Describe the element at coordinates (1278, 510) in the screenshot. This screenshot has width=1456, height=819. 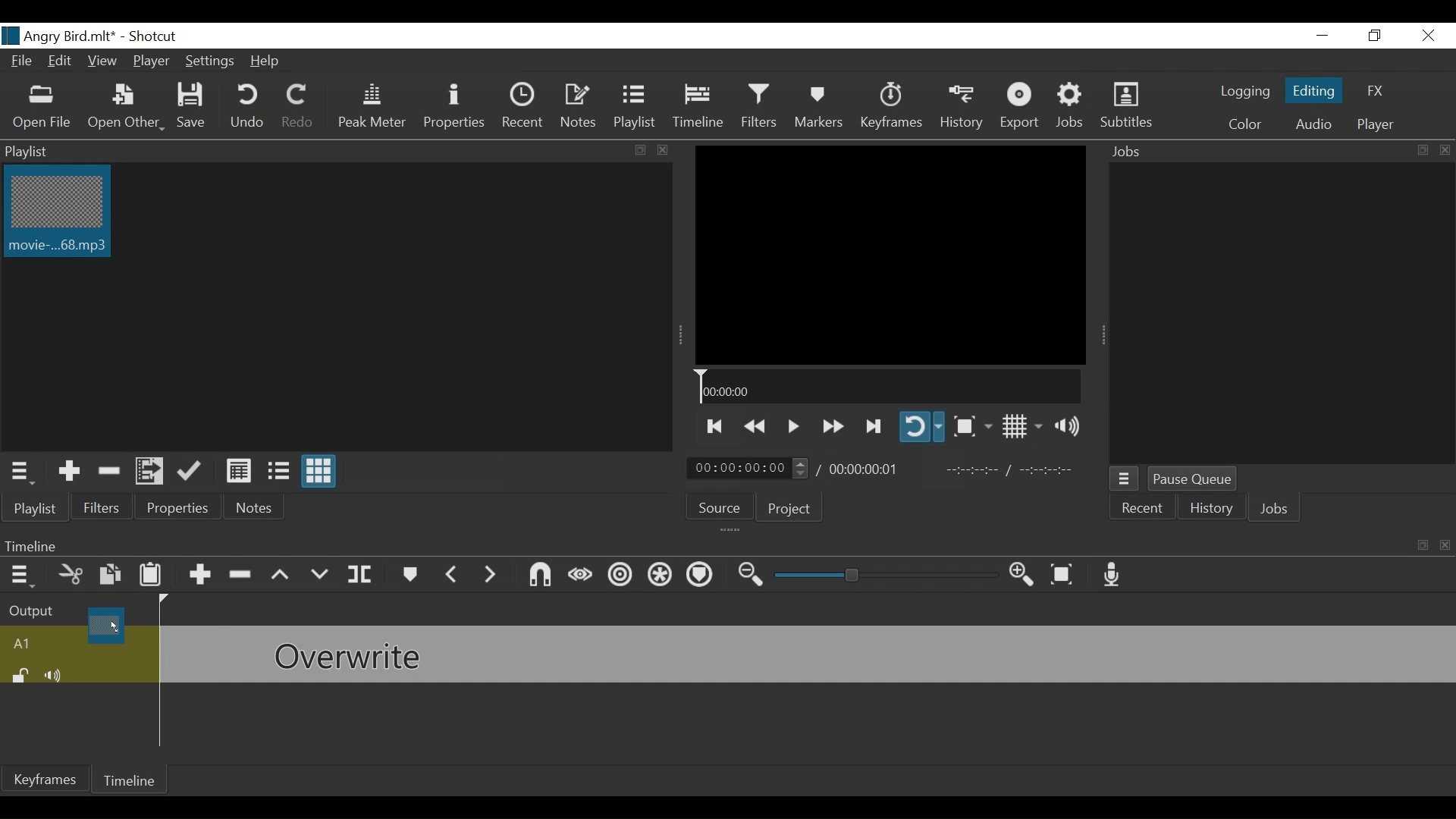
I see `Jobs` at that location.